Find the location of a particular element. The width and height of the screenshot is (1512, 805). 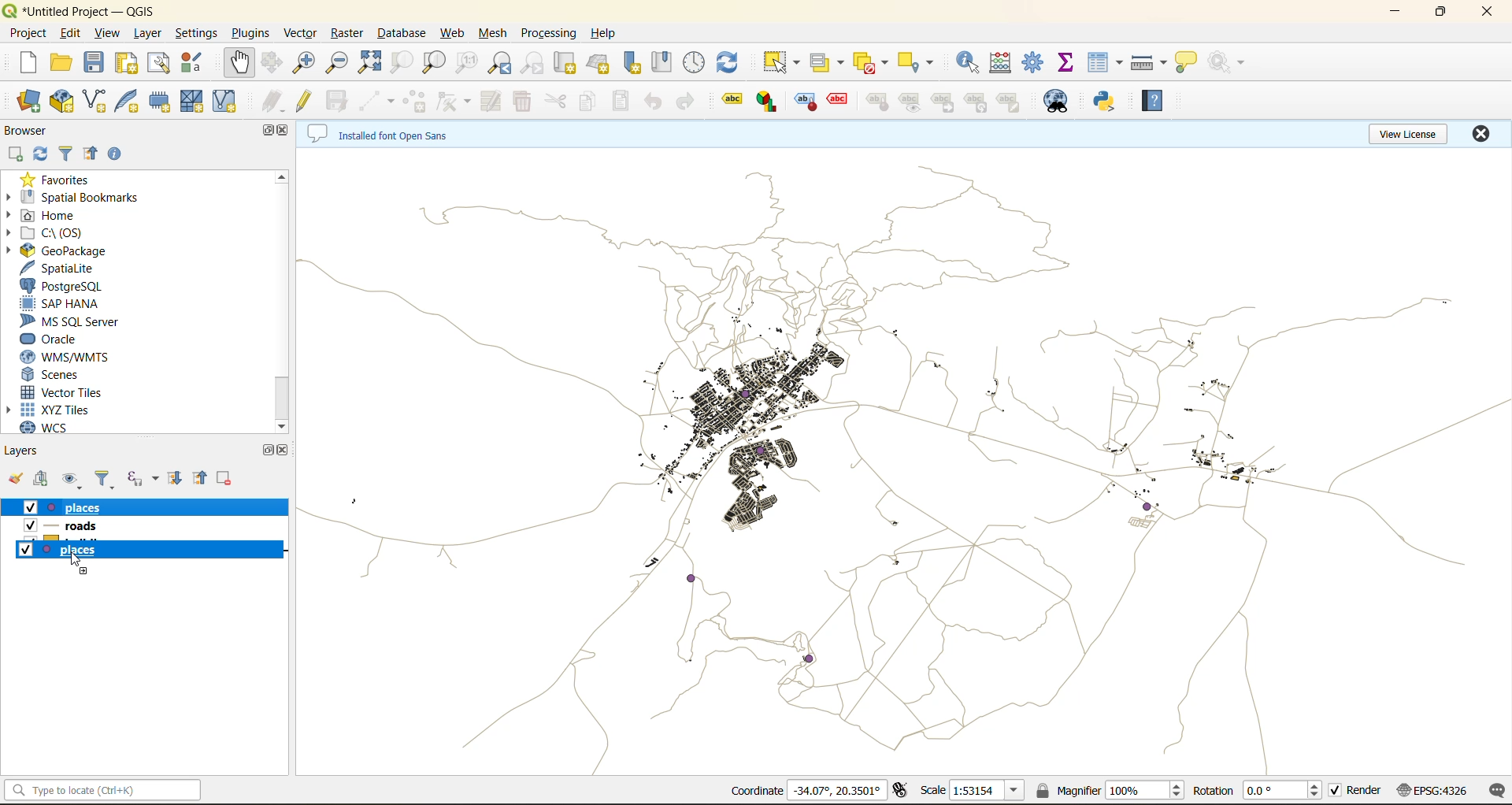

vector tiles is located at coordinates (85, 392).